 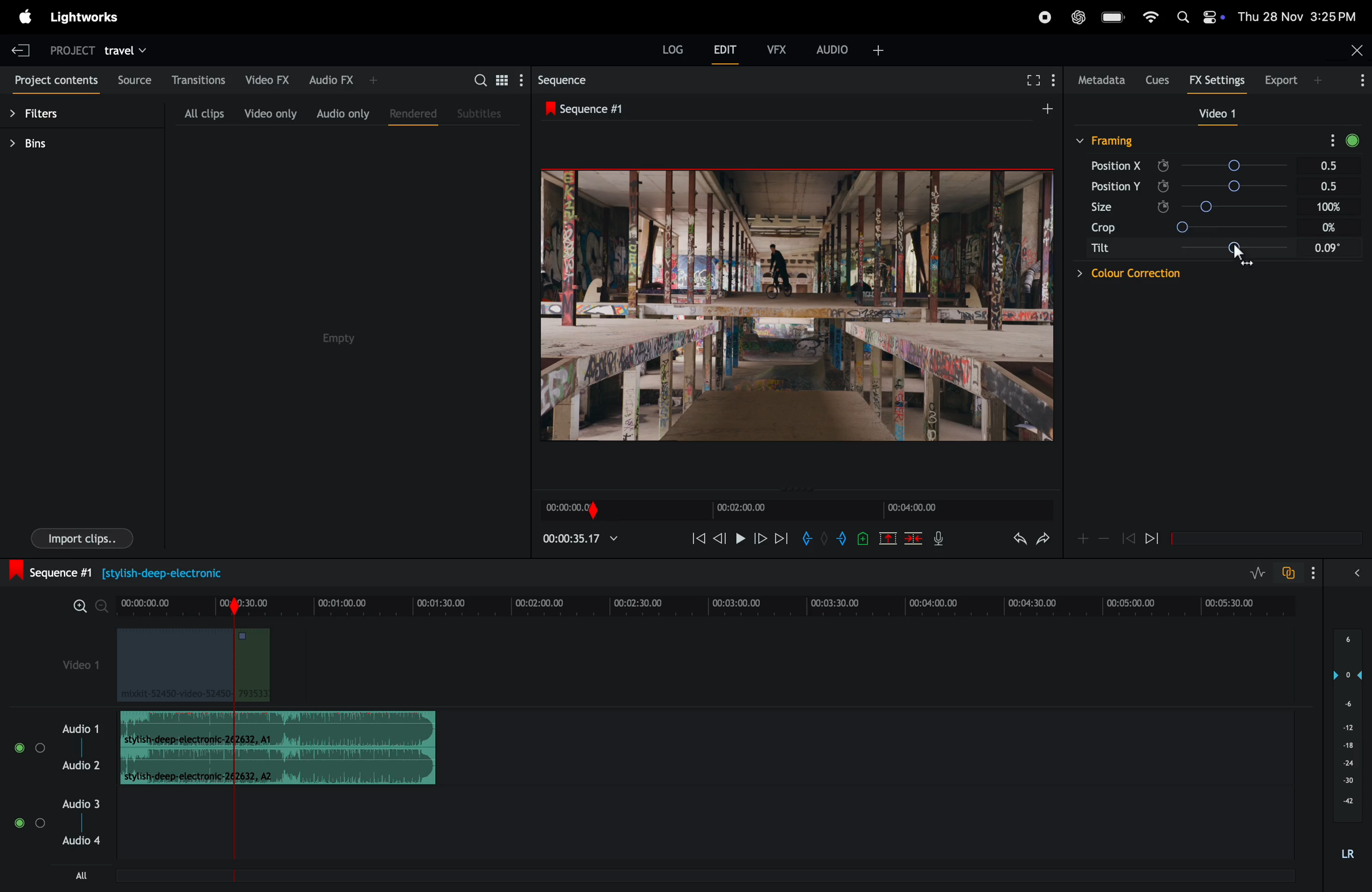 What do you see at coordinates (914, 538) in the screenshot?
I see `delete` at bounding box center [914, 538].